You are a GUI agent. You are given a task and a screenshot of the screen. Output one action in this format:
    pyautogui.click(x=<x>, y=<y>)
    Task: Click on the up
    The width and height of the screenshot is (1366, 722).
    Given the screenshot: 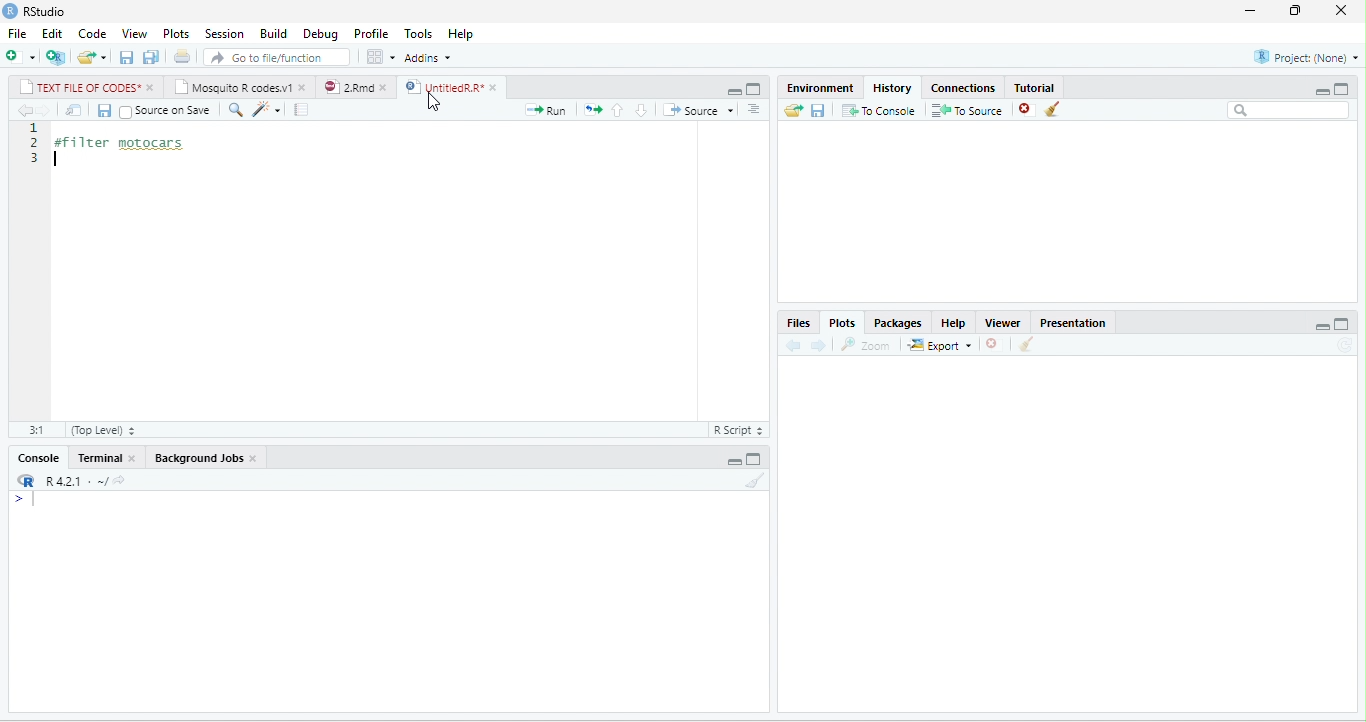 What is the action you would take?
    pyautogui.click(x=618, y=111)
    